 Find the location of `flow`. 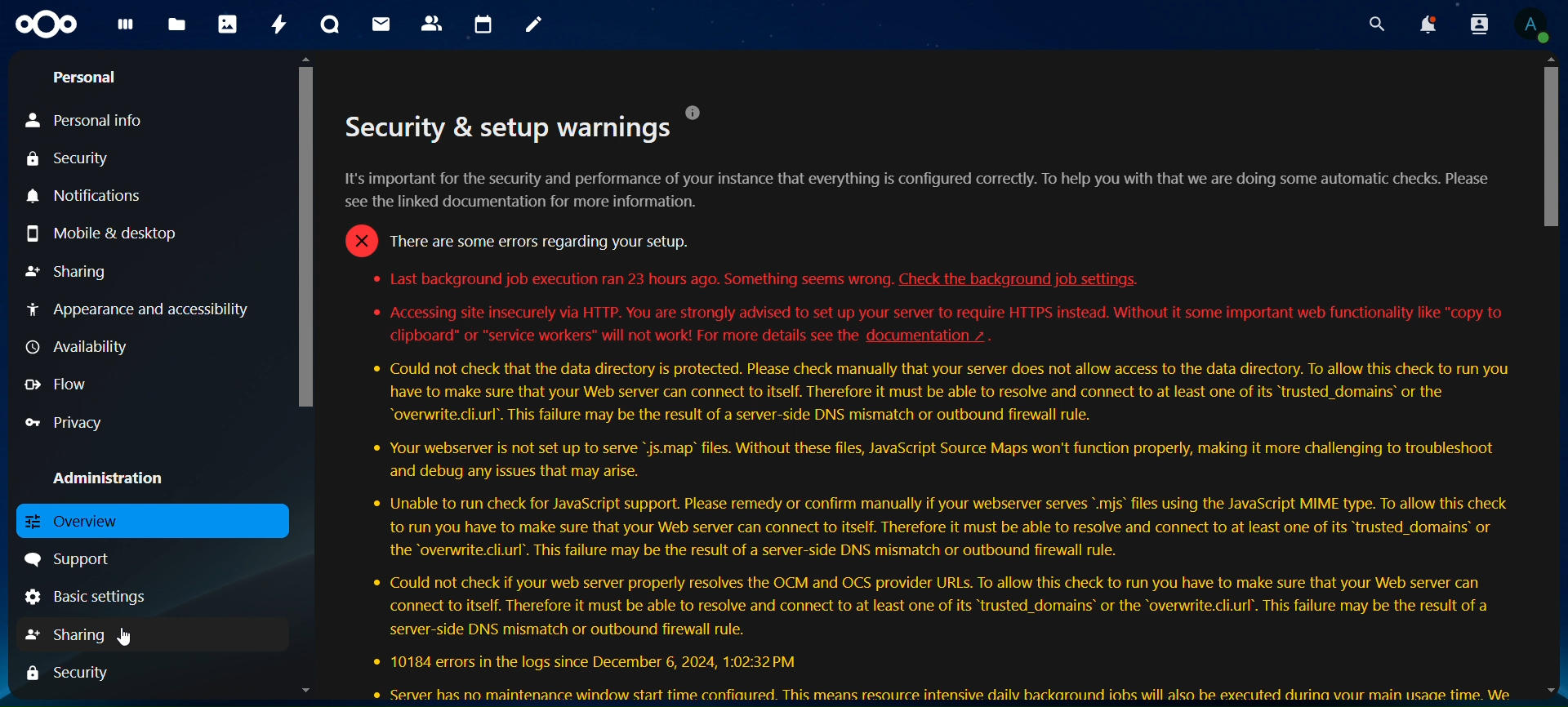

flow is located at coordinates (56, 384).